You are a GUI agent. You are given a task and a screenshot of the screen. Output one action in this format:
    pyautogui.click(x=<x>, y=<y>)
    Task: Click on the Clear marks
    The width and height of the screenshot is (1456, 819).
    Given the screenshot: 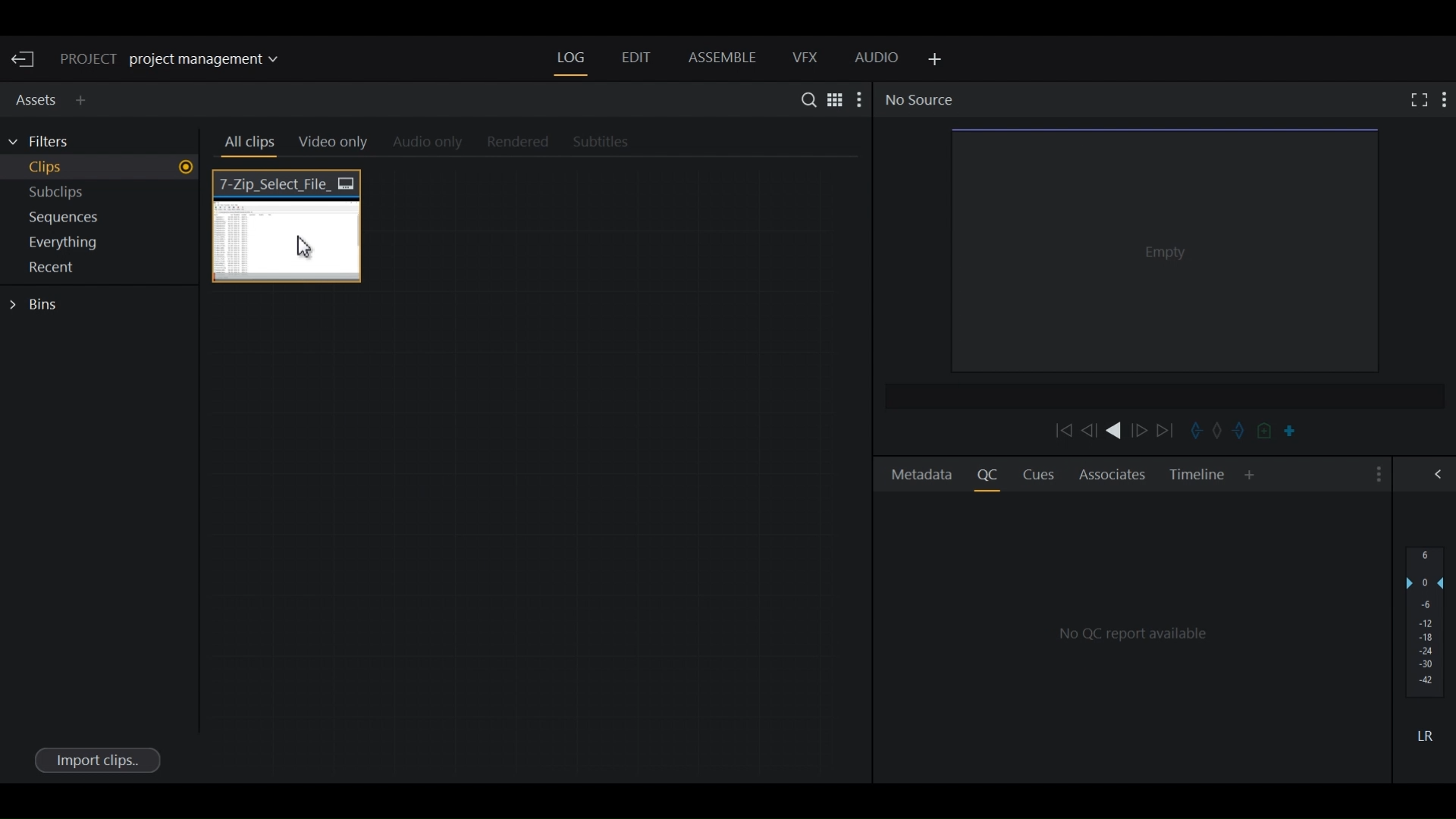 What is the action you would take?
    pyautogui.click(x=1217, y=432)
    